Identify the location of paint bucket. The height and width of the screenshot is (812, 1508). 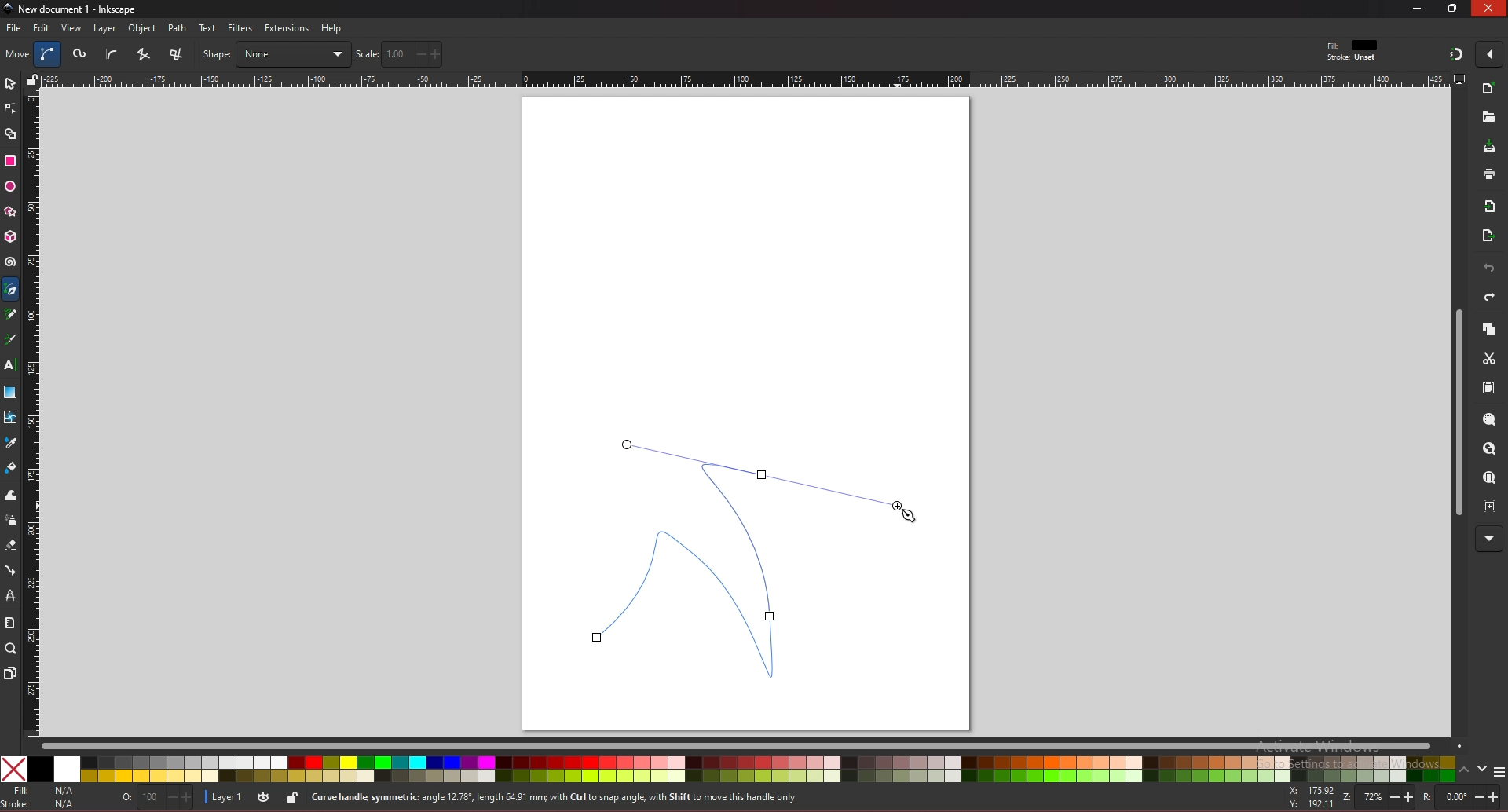
(11, 466).